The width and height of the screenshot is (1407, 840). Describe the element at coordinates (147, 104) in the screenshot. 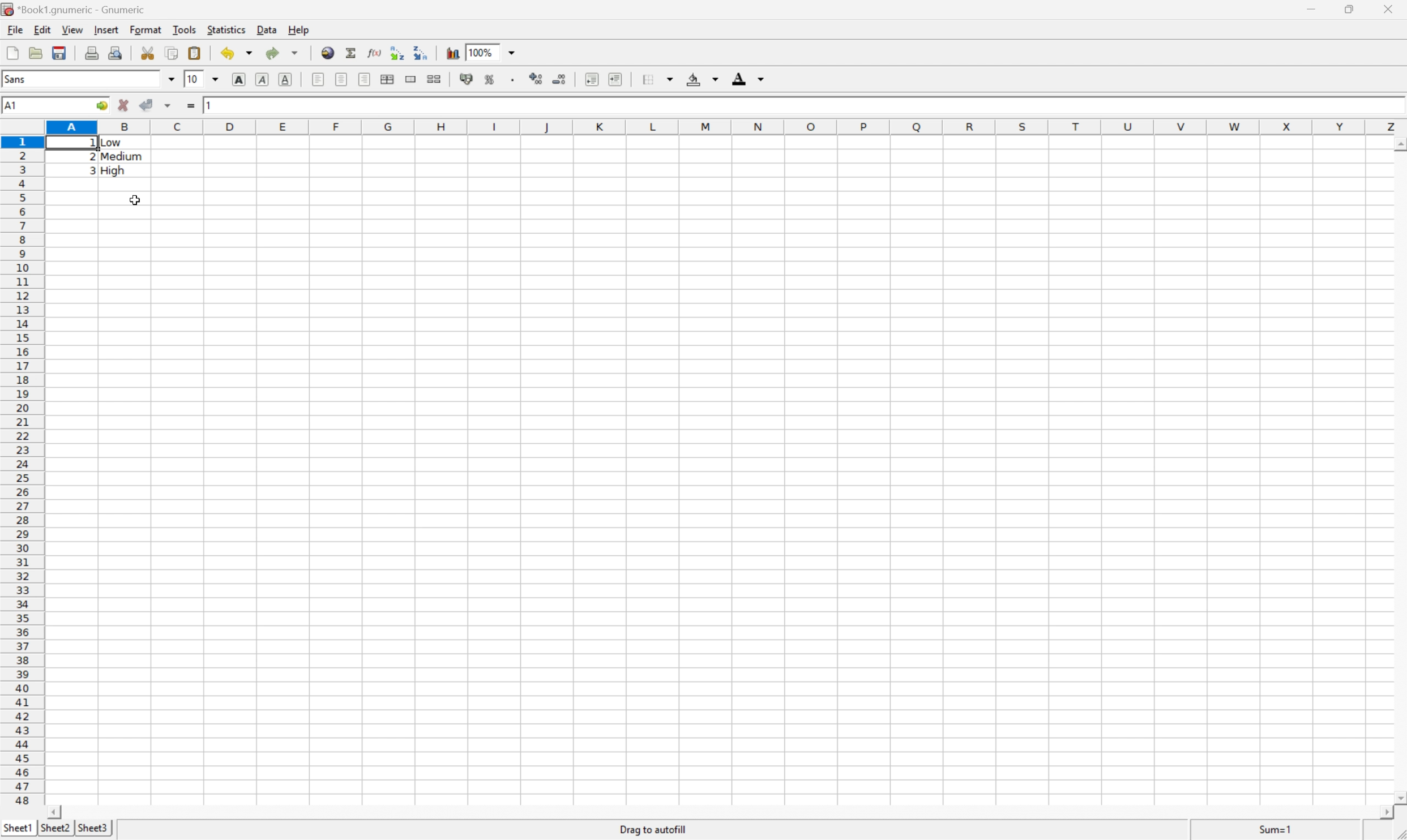

I see `Accept changes` at that location.